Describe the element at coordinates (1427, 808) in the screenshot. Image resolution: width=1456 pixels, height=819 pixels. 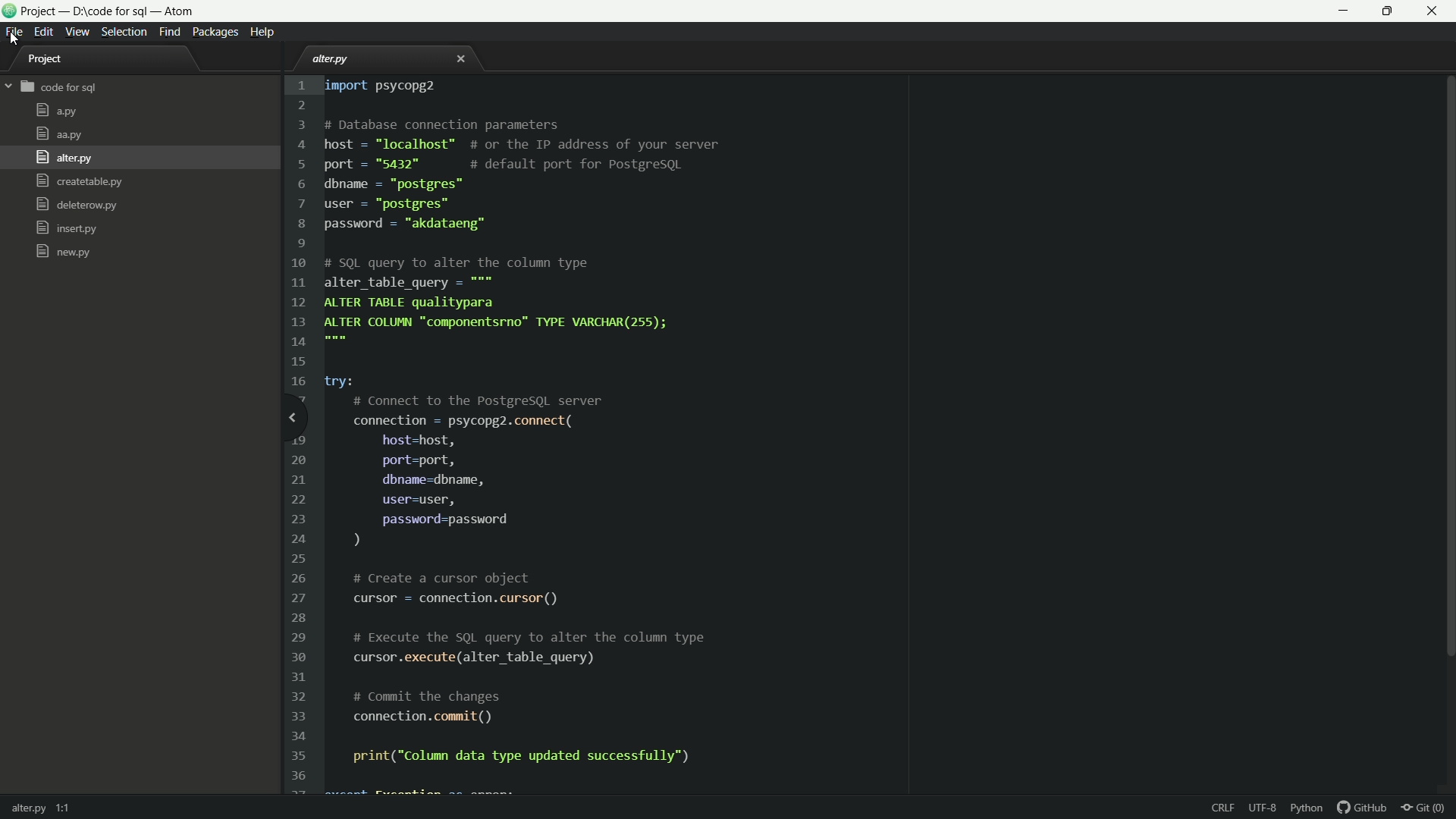
I see `git (0)` at that location.